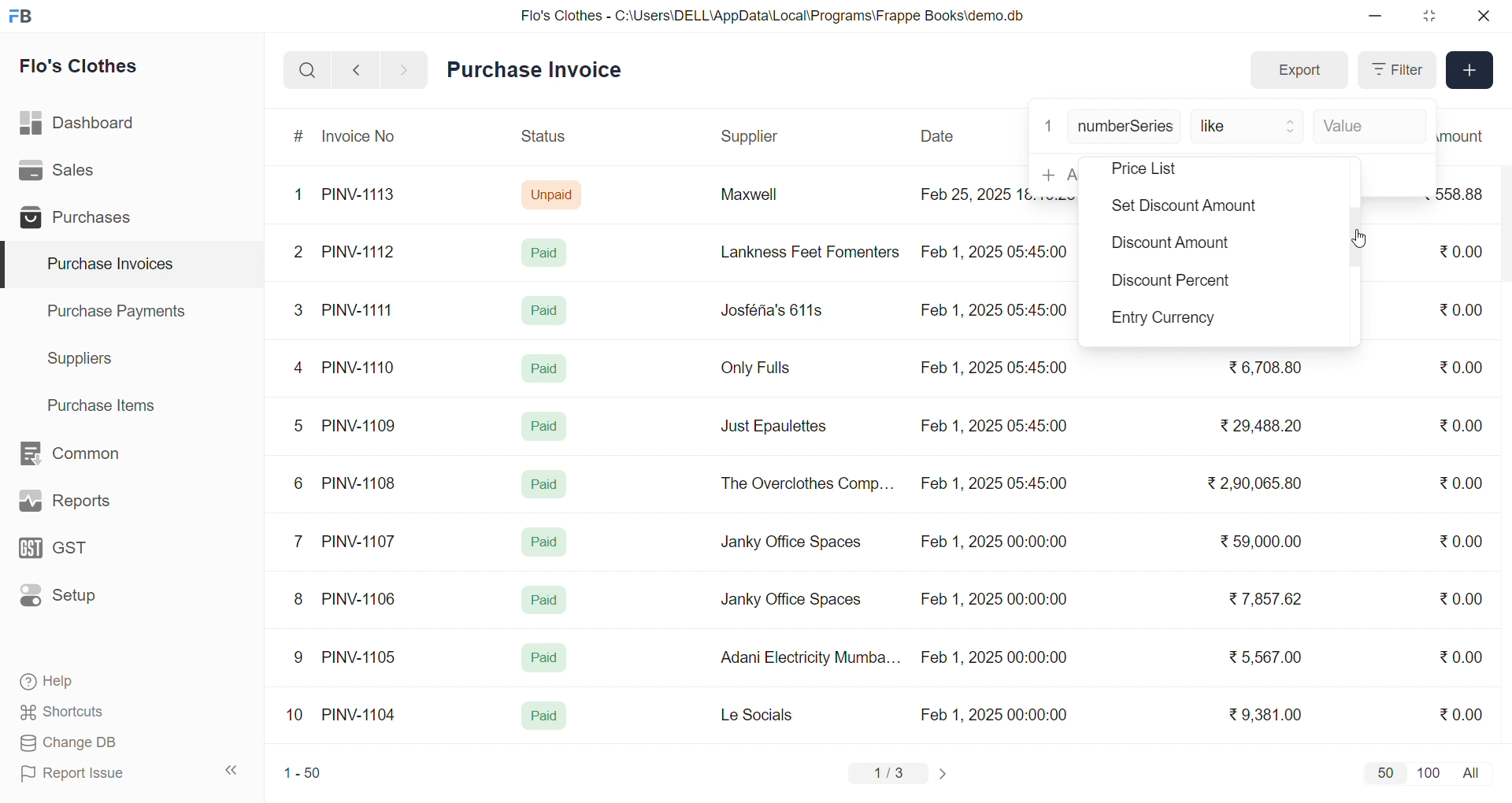  What do you see at coordinates (1469, 135) in the screenshot?
I see `Outstanding Amount` at bounding box center [1469, 135].